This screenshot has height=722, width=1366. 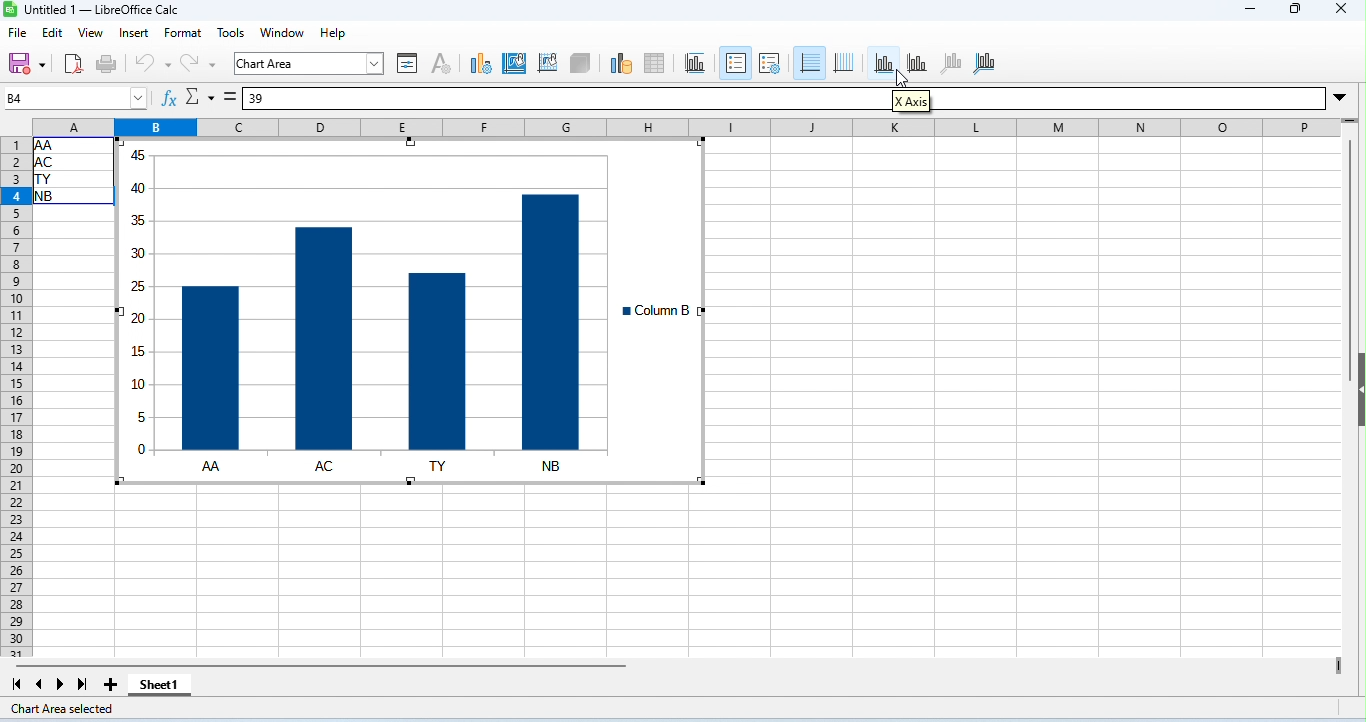 I want to click on drag to view rows, so click(x=1352, y=125).